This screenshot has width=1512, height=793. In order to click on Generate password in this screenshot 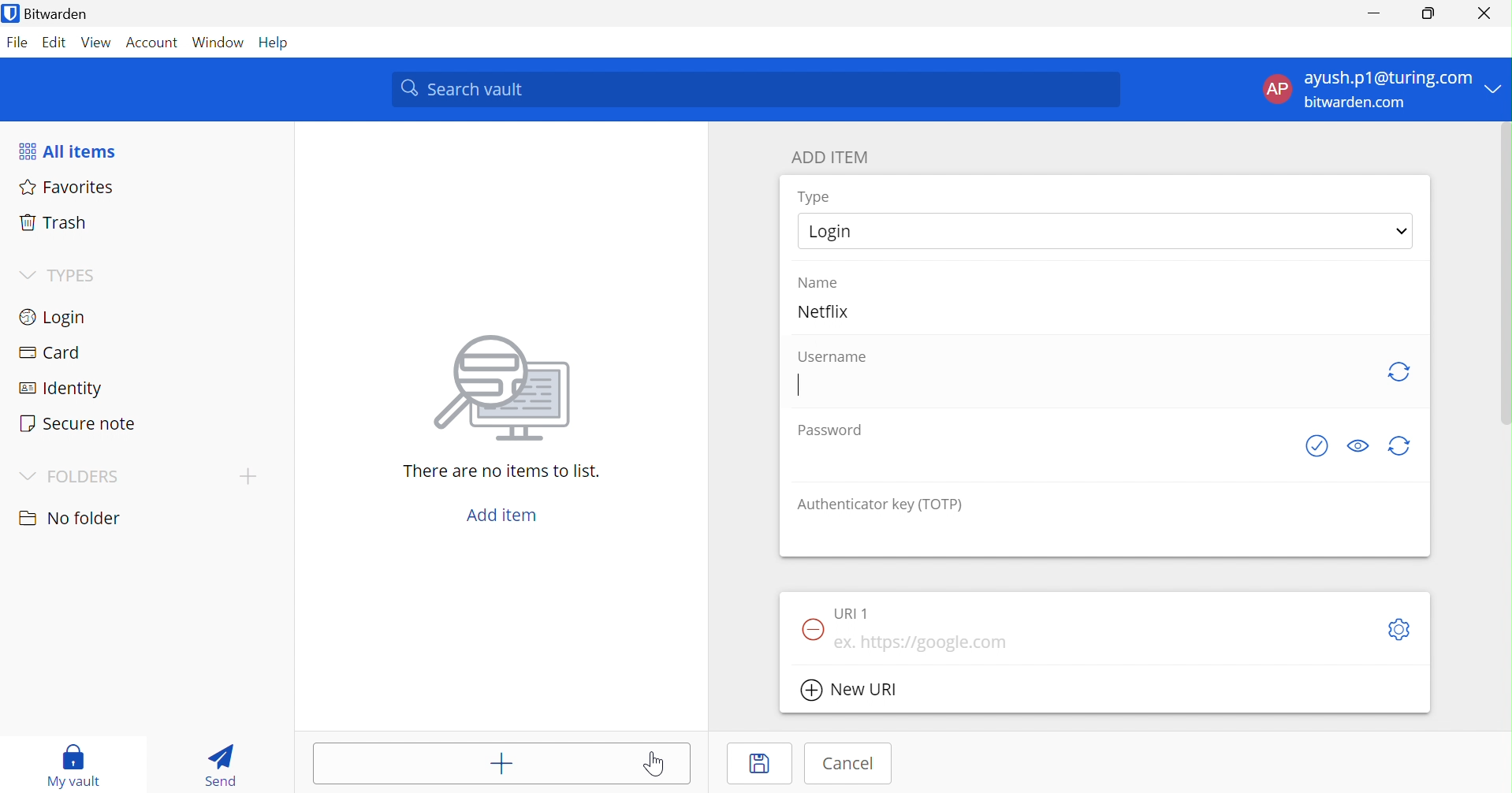, I will do `click(1398, 446)`.